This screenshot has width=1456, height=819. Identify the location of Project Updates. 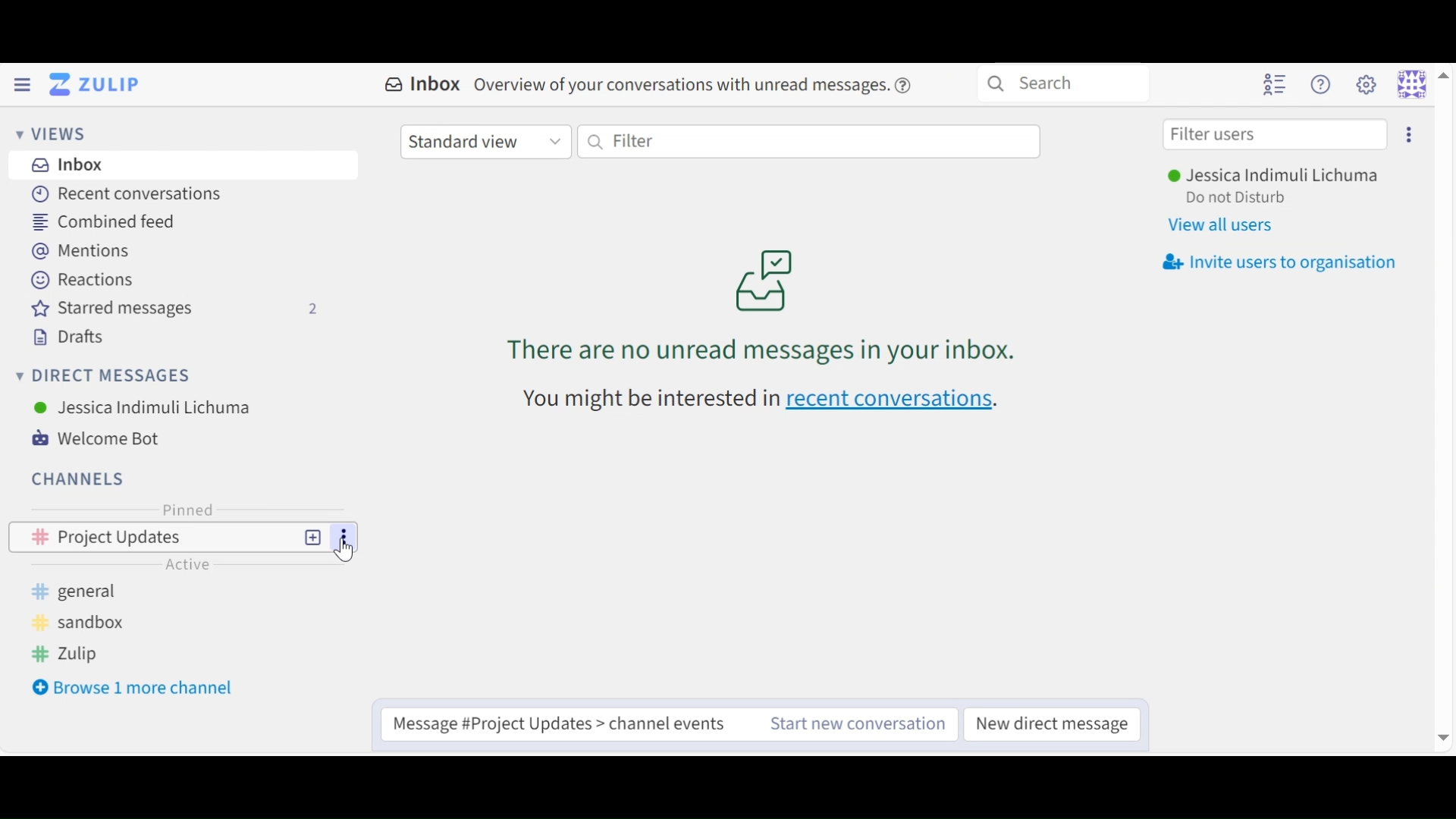
(136, 538).